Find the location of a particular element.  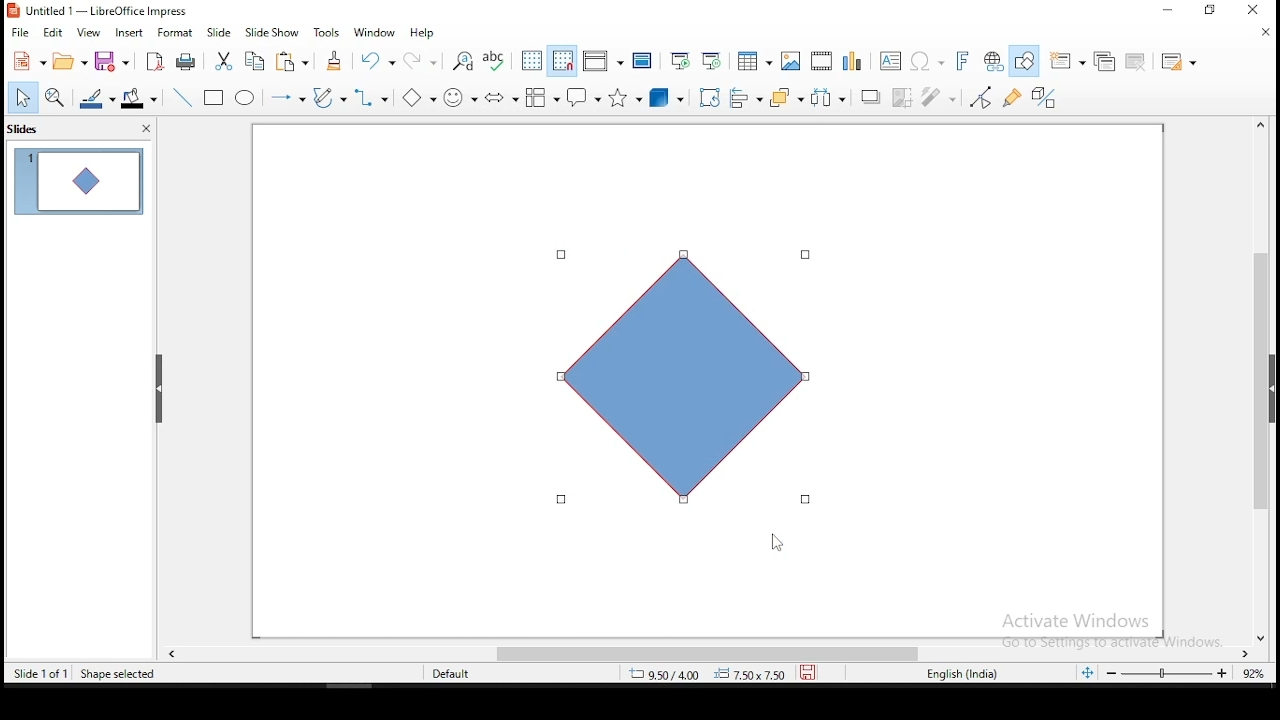

arrange is located at coordinates (783, 96).